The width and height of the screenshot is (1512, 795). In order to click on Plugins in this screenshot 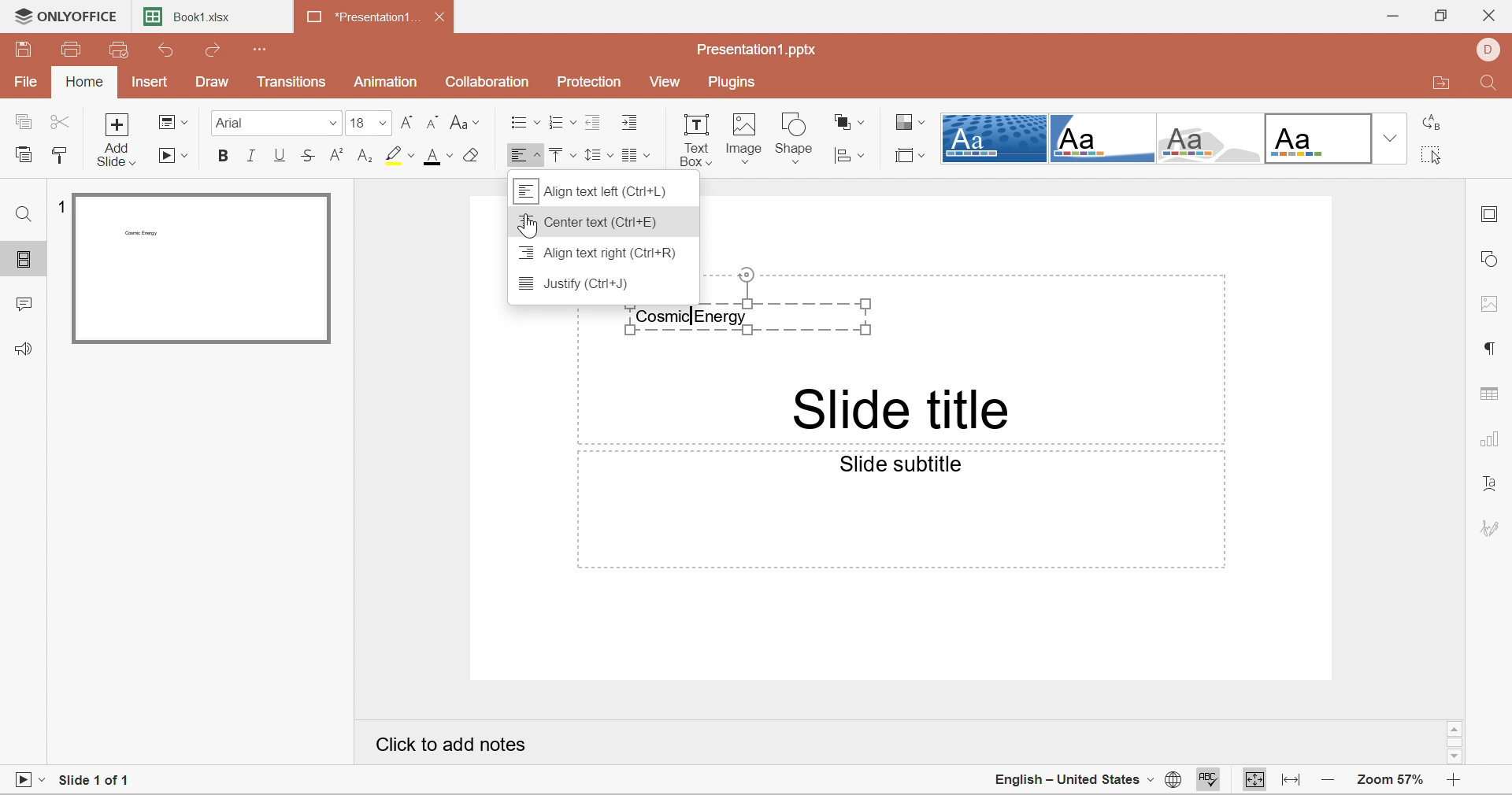, I will do `click(734, 83)`.